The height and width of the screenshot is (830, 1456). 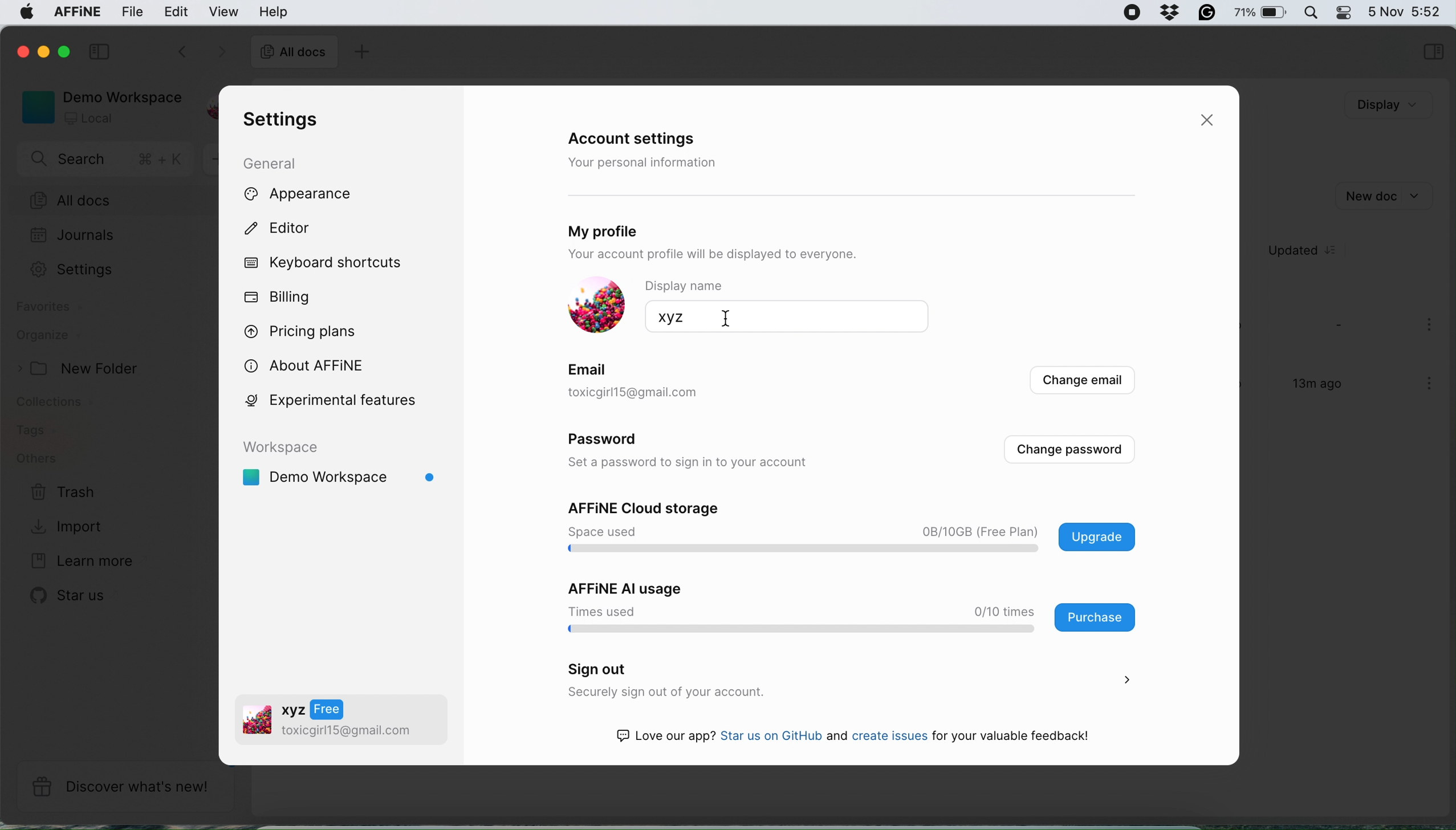 I want to click on billing, so click(x=279, y=298).